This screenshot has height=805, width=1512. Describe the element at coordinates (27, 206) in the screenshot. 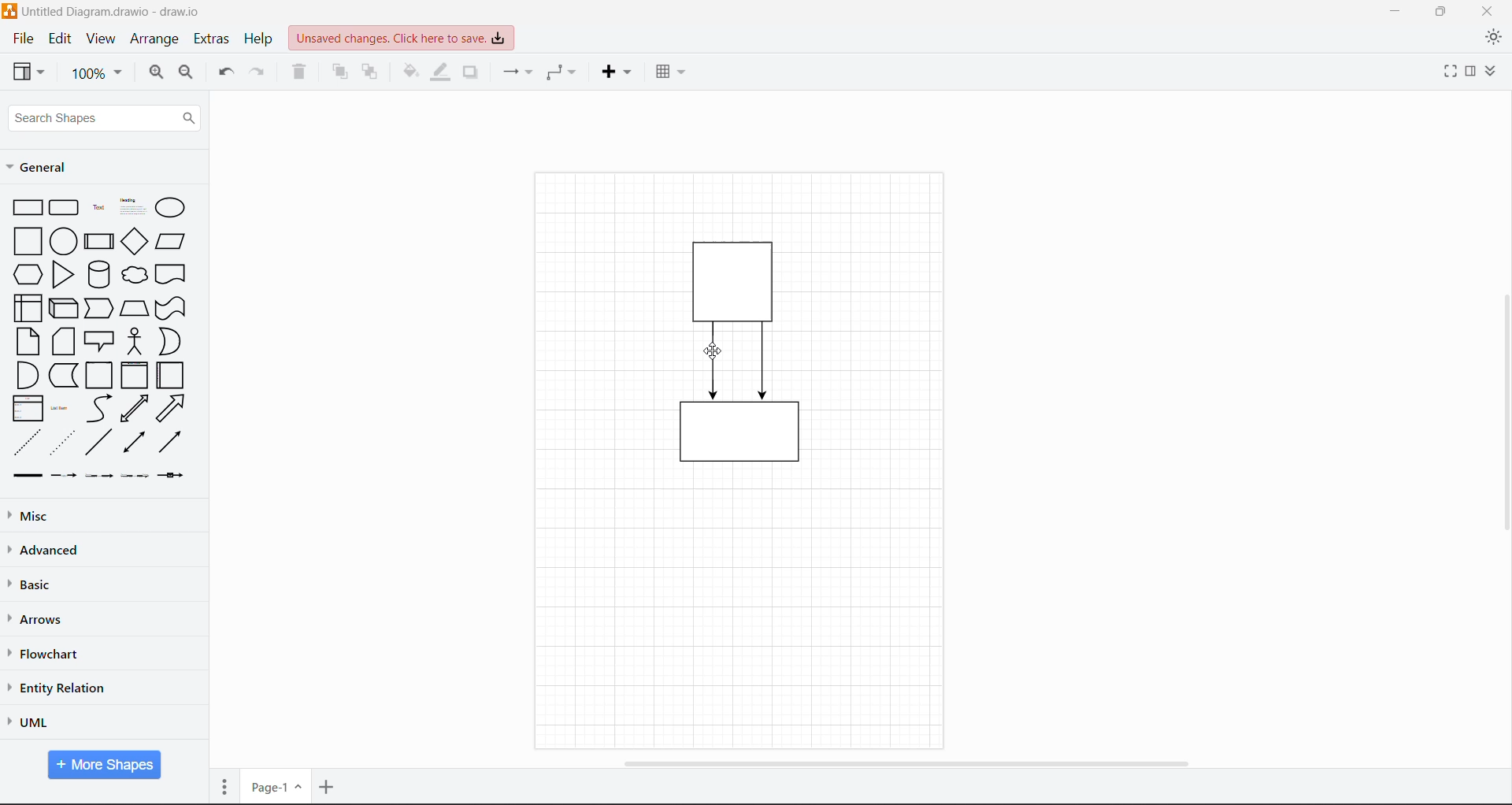

I see `Rectangle` at that location.